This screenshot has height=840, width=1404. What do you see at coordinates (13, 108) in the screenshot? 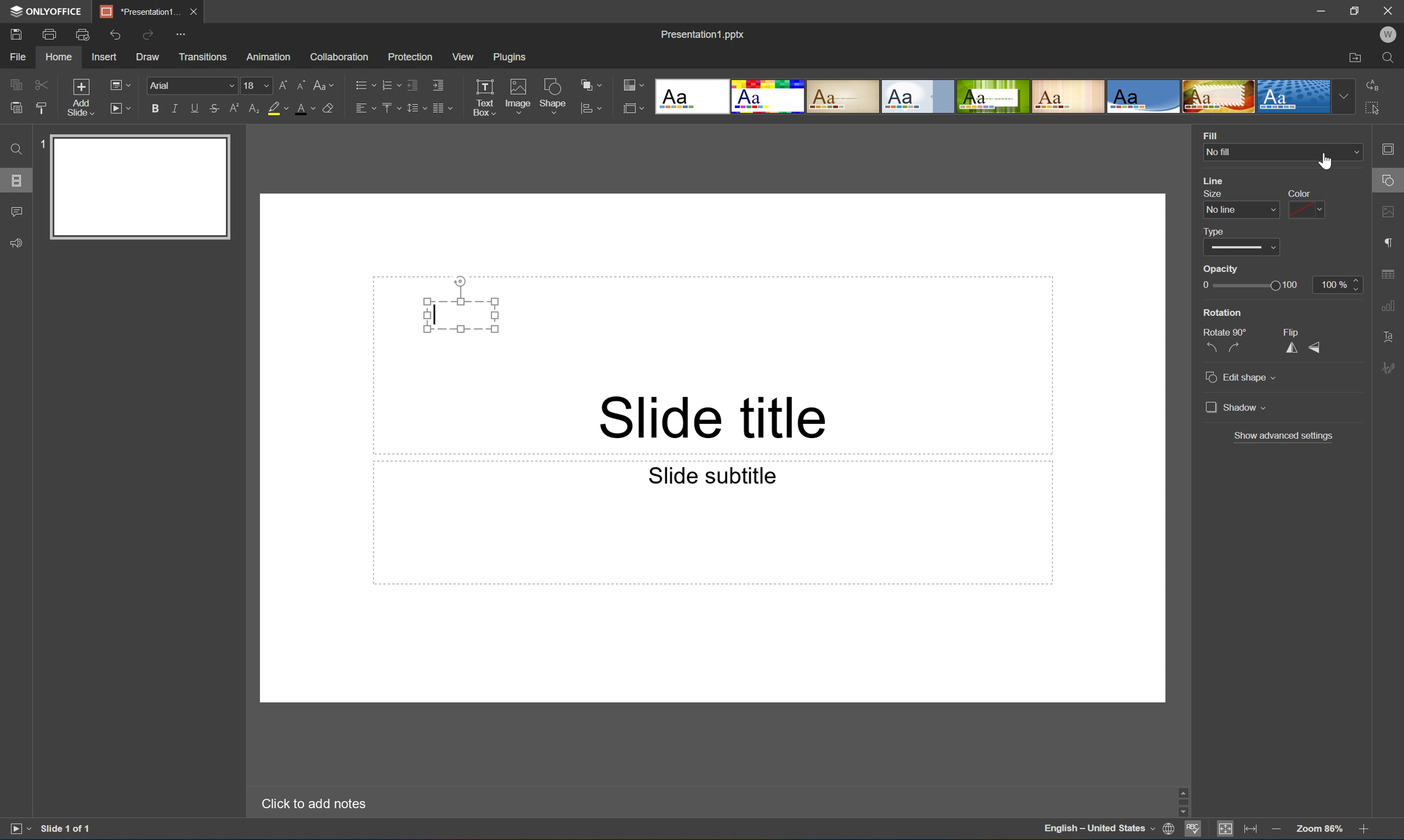
I see `Paste` at bounding box center [13, 108].